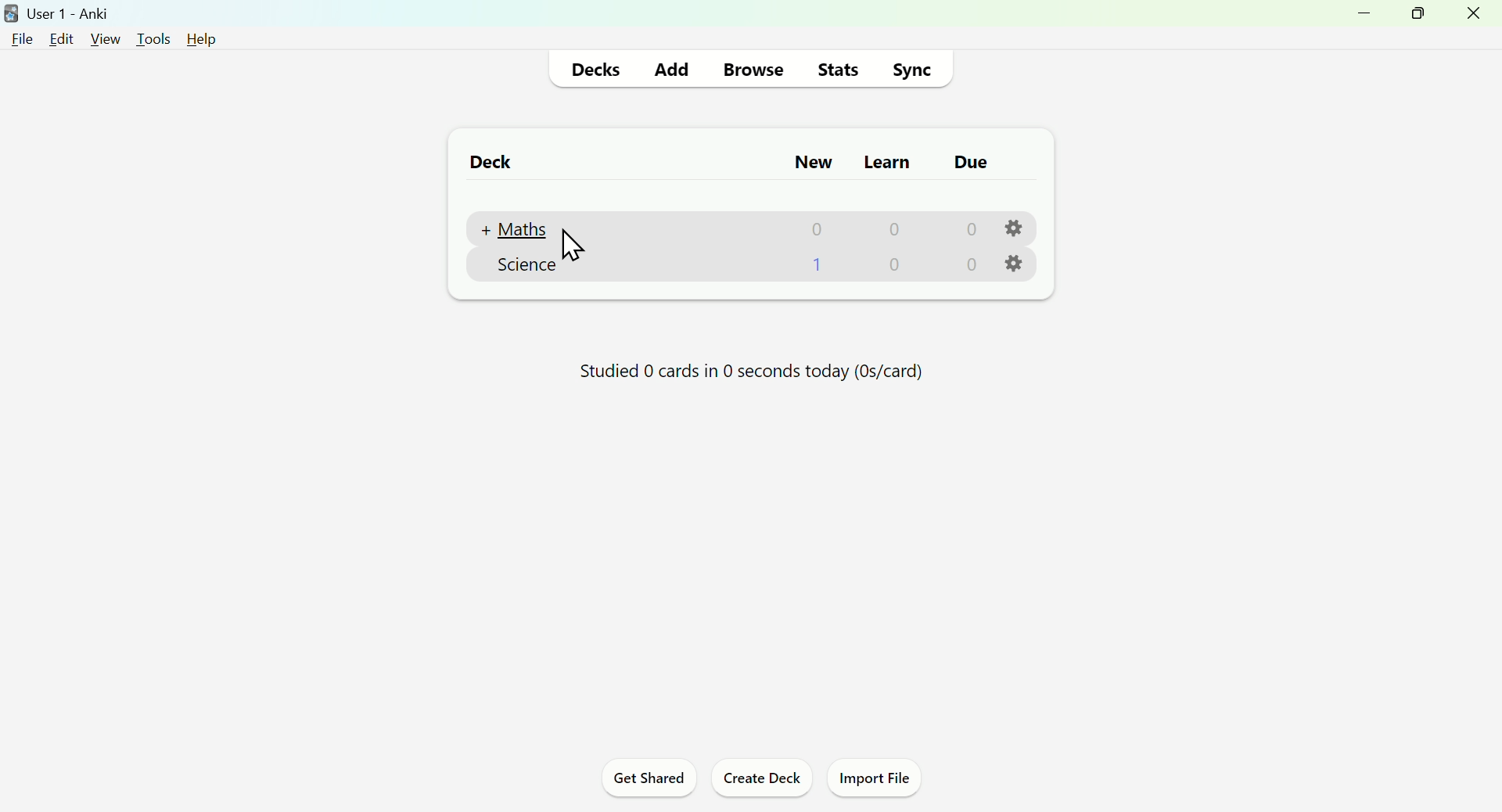  Describe the element at coordinates (671, 69) in the screenshot. I see `Add` at that location.